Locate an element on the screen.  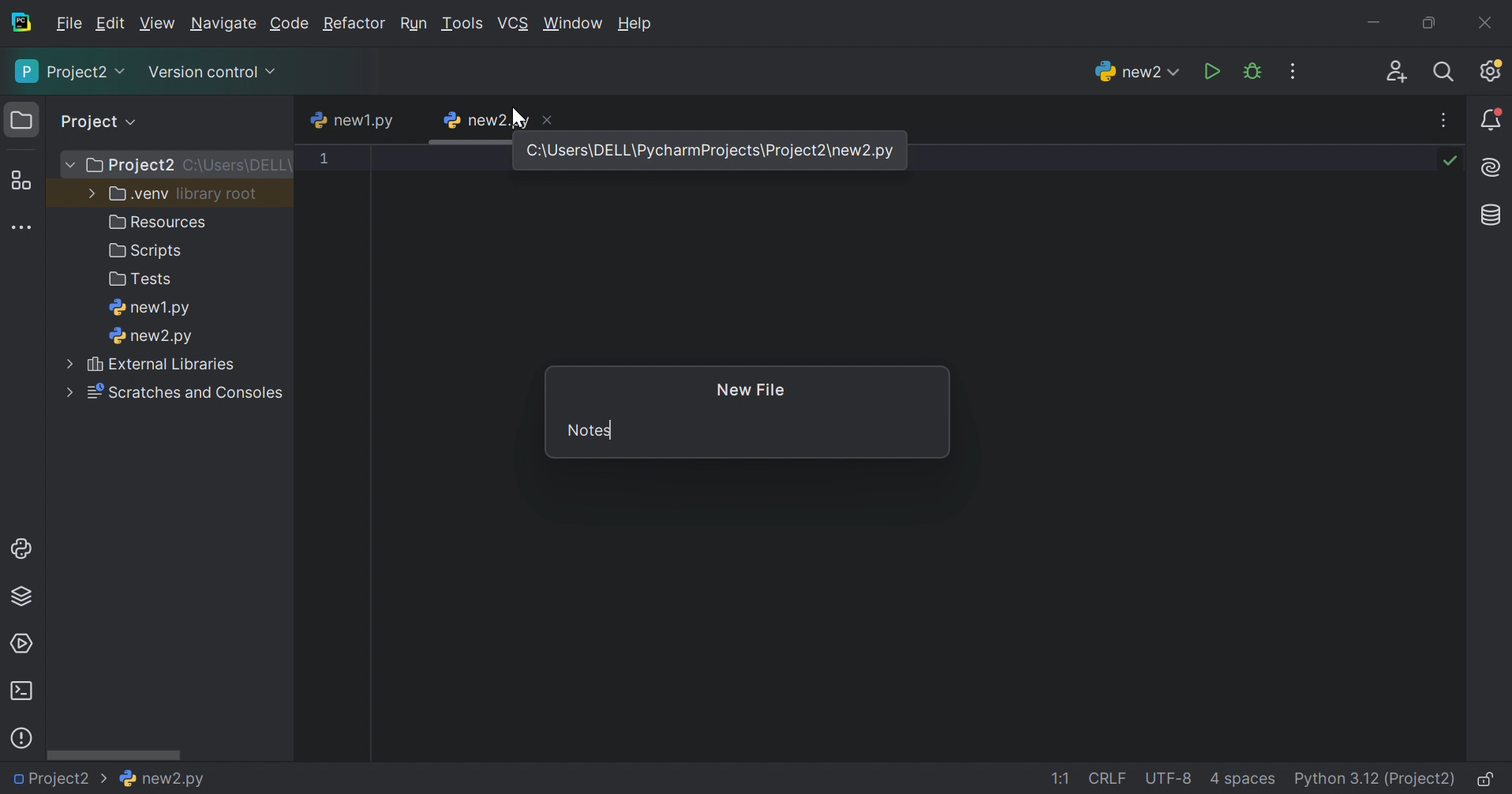
Version control is located at coordinates (215, 73).